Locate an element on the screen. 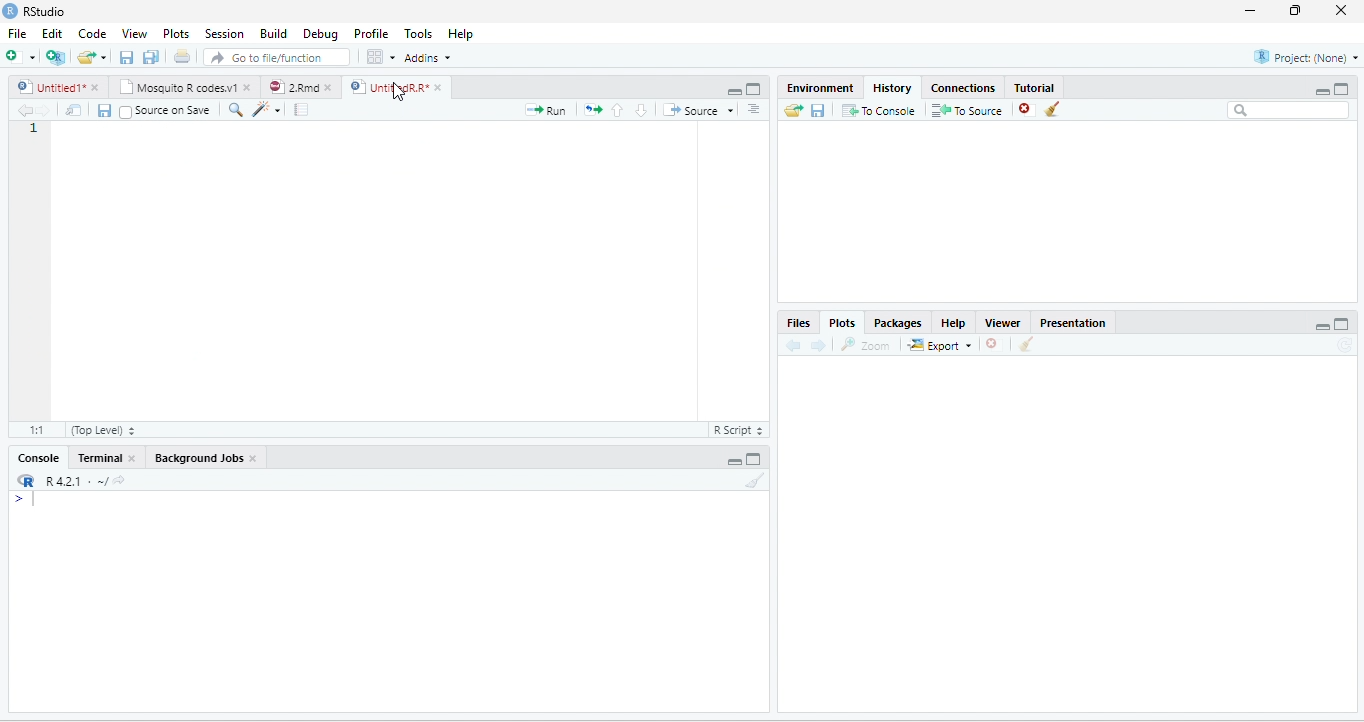  Create a project is located at coordinates (57, 55).